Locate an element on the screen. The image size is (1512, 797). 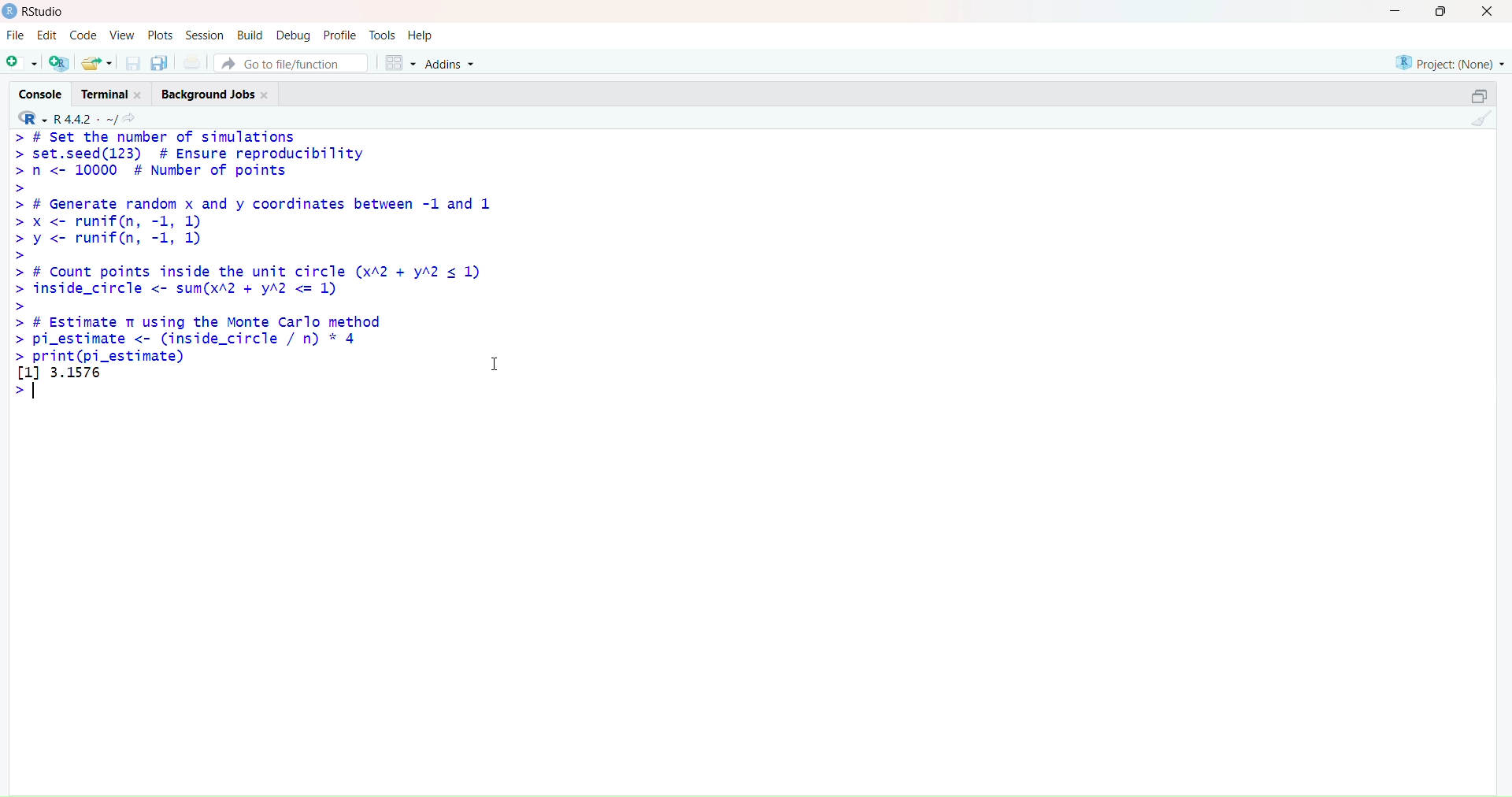
Code is located at coordinates (83, 35).